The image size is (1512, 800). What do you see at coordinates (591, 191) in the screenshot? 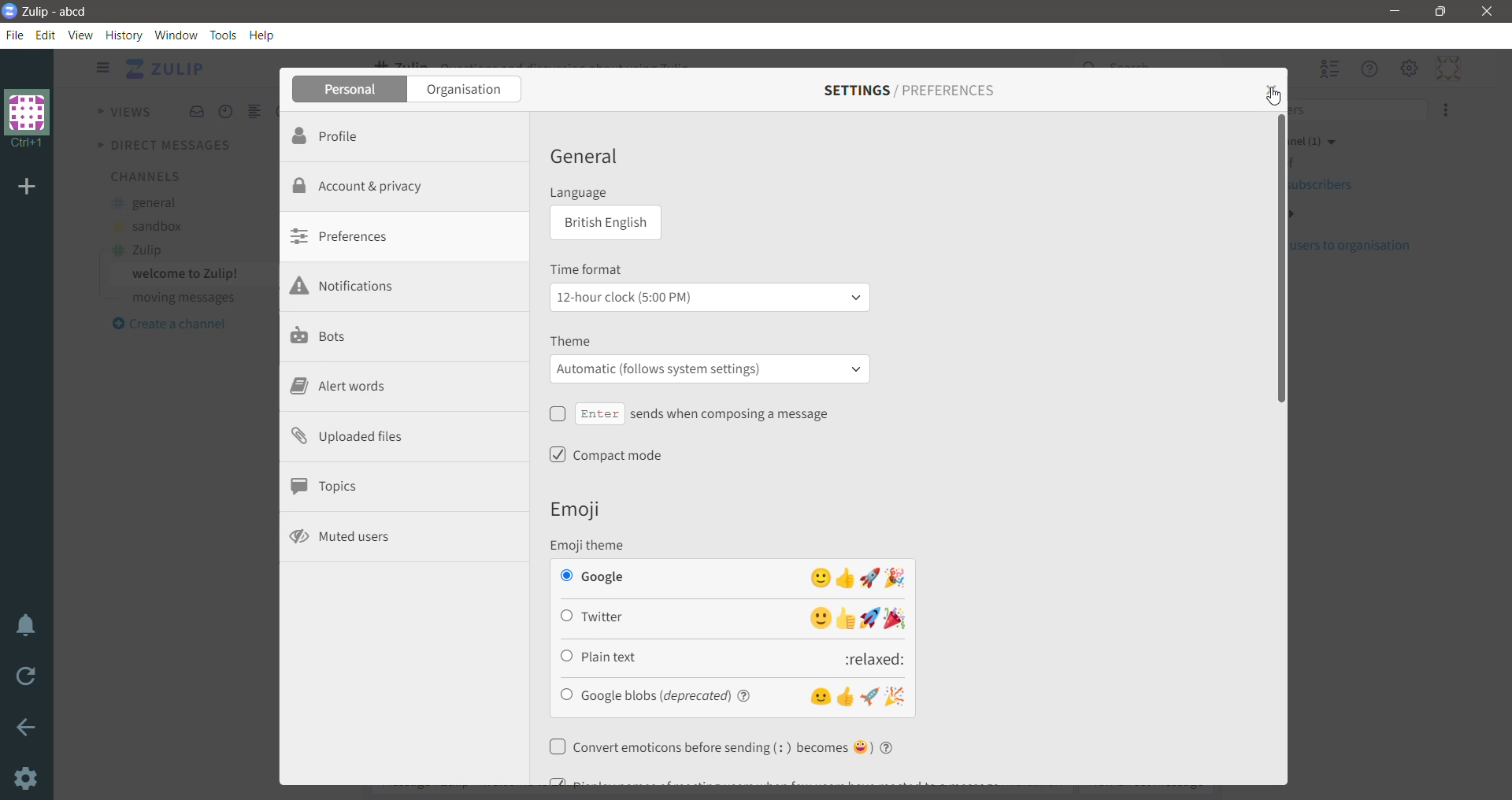
I see `Language` at bounding box center [591, 191].